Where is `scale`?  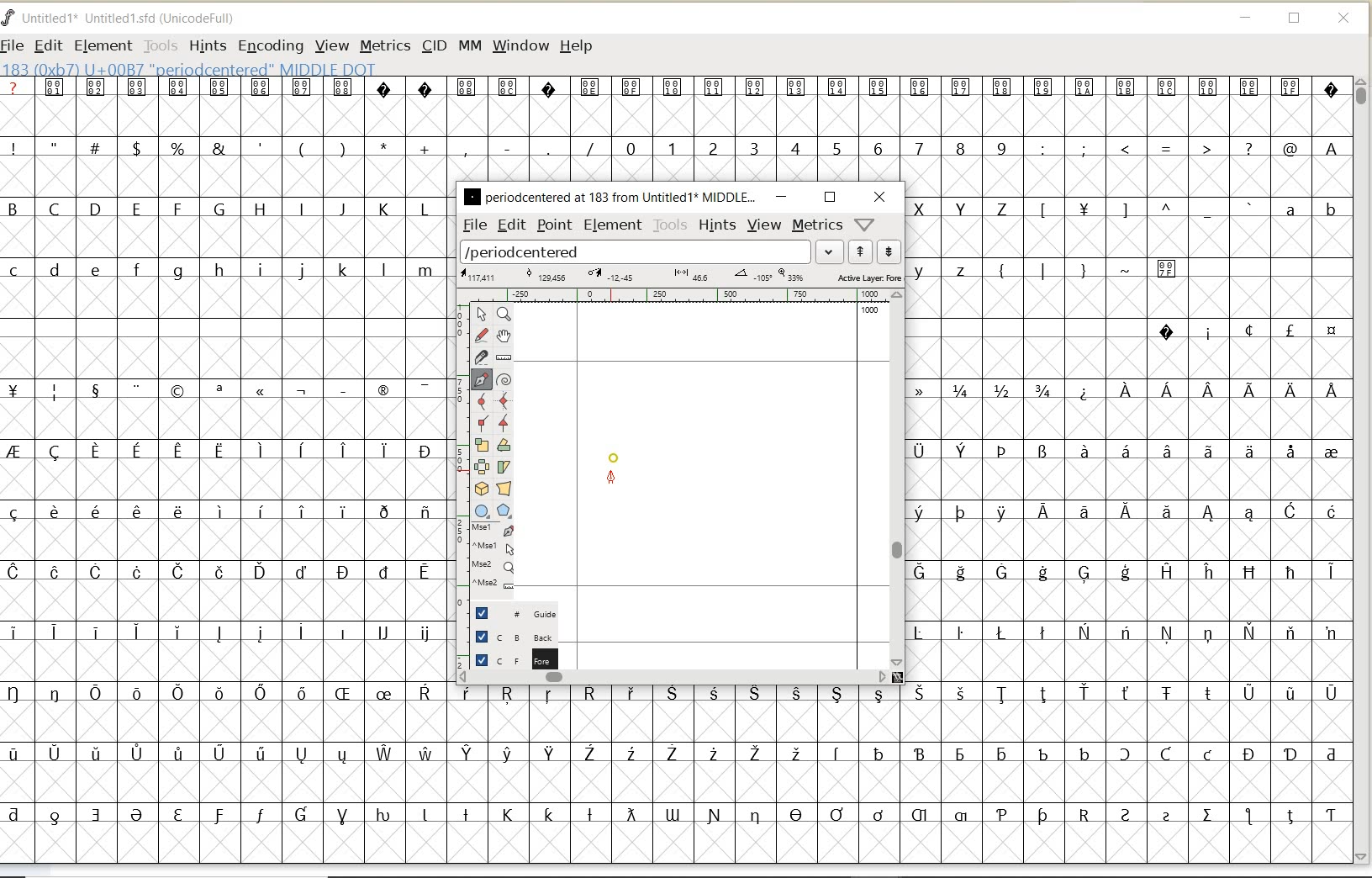
scale is located at coordinates (458, 443).